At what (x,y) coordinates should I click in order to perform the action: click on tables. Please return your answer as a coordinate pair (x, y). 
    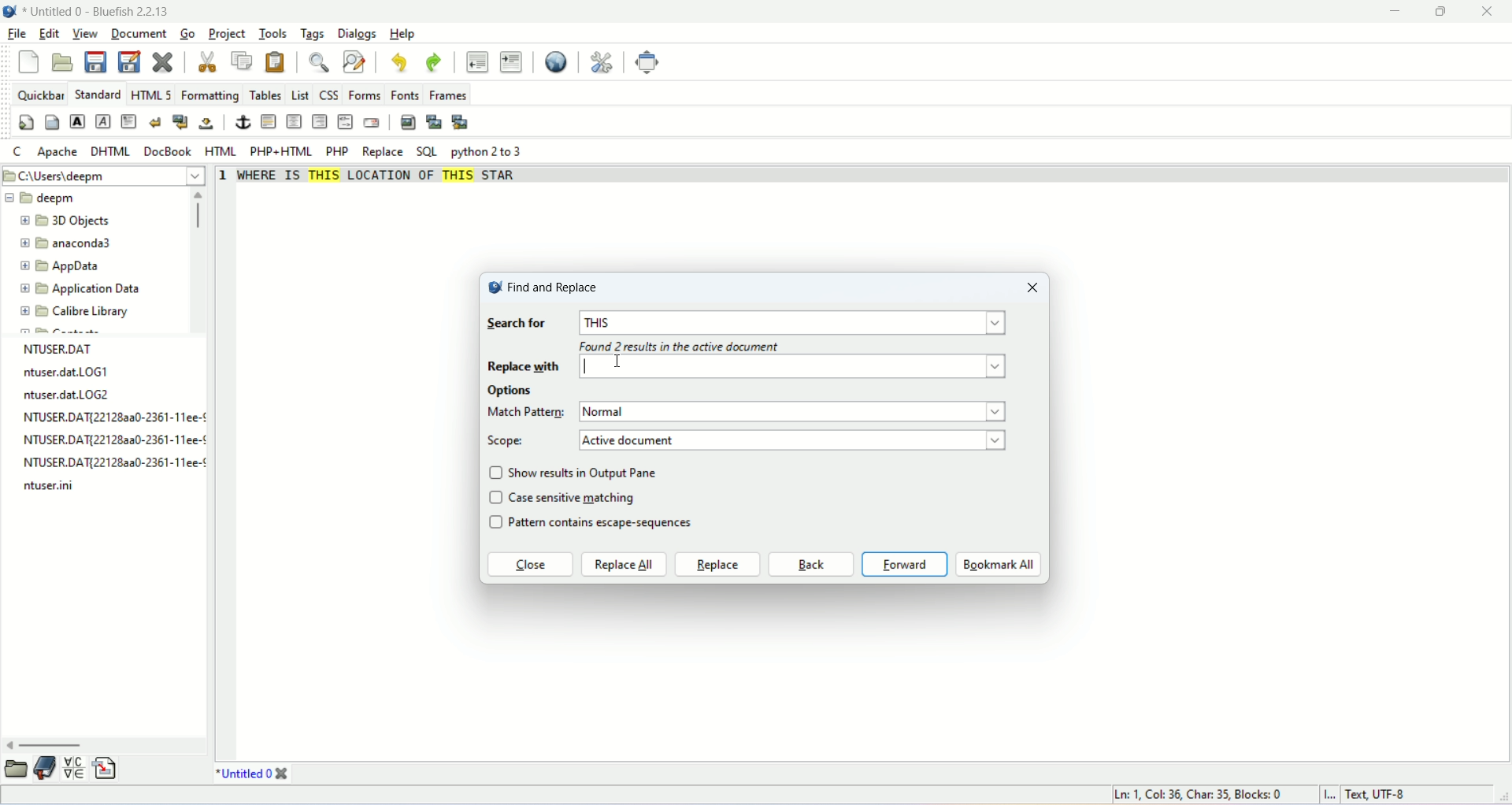
    Looking at the image, I should click on (265, 96).